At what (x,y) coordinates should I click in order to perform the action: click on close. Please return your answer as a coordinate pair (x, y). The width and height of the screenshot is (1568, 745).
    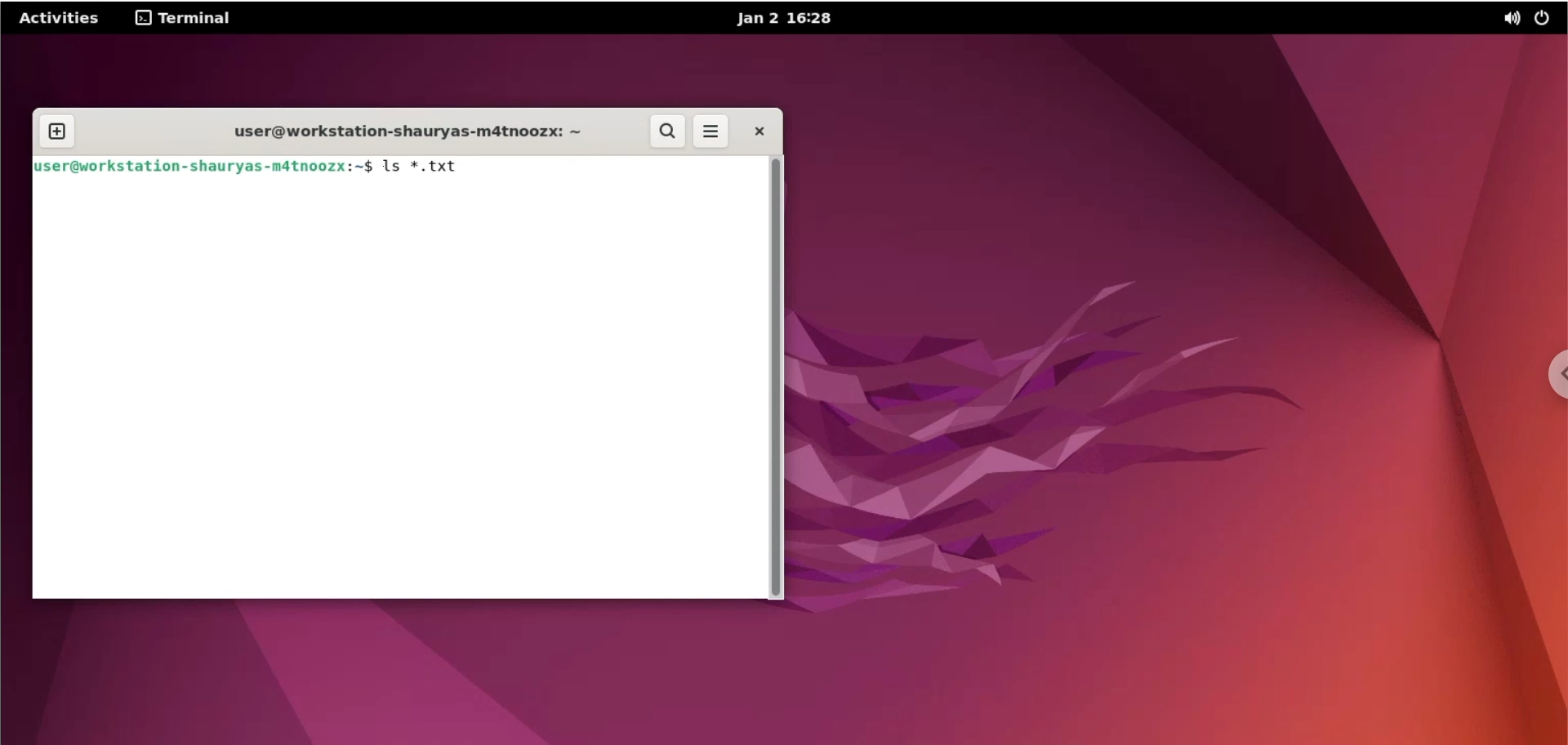
    Looking at the image, I should click on (758, 132).